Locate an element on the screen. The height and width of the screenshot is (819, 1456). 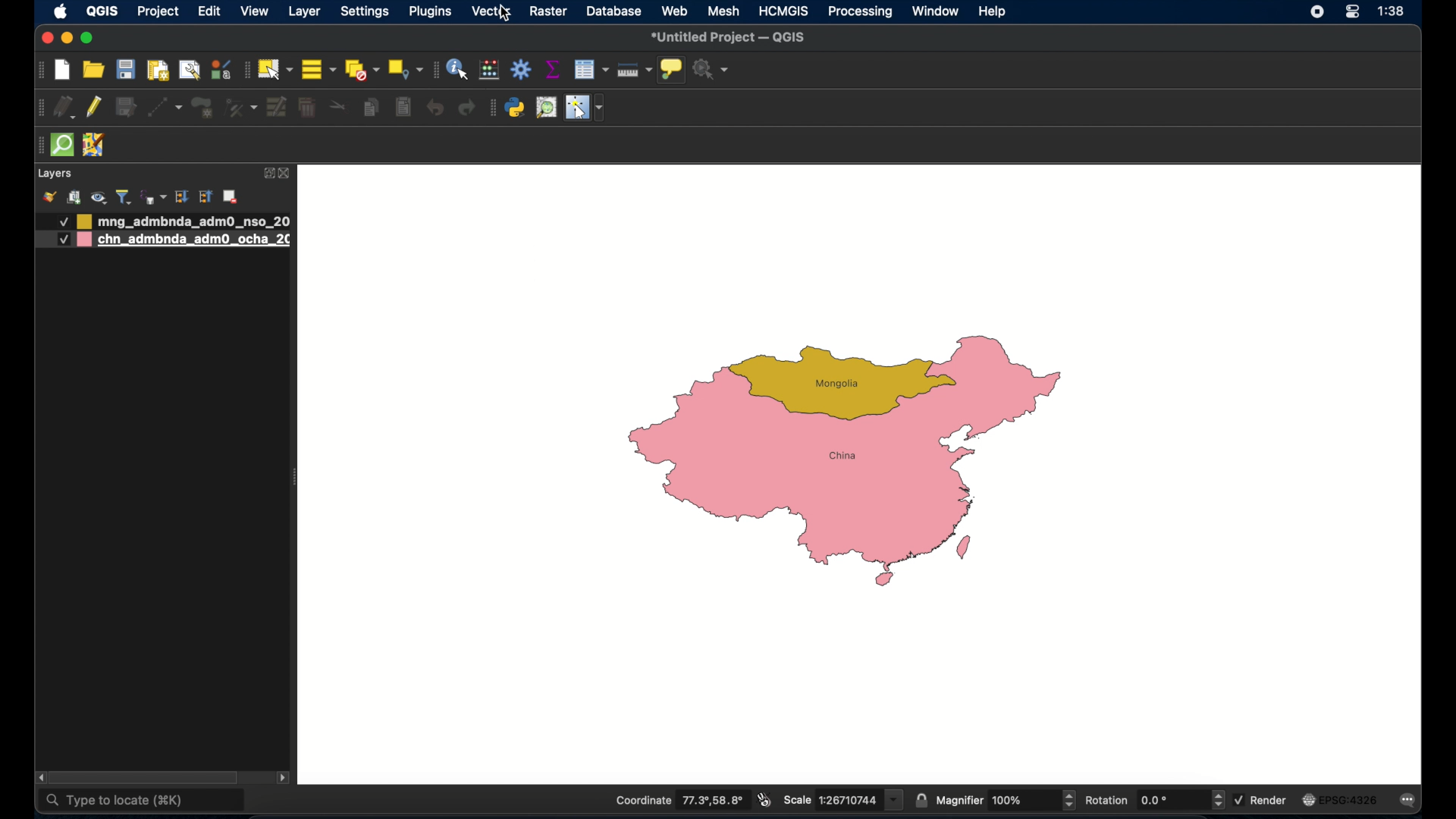
 is located at coordinates (56, 222).